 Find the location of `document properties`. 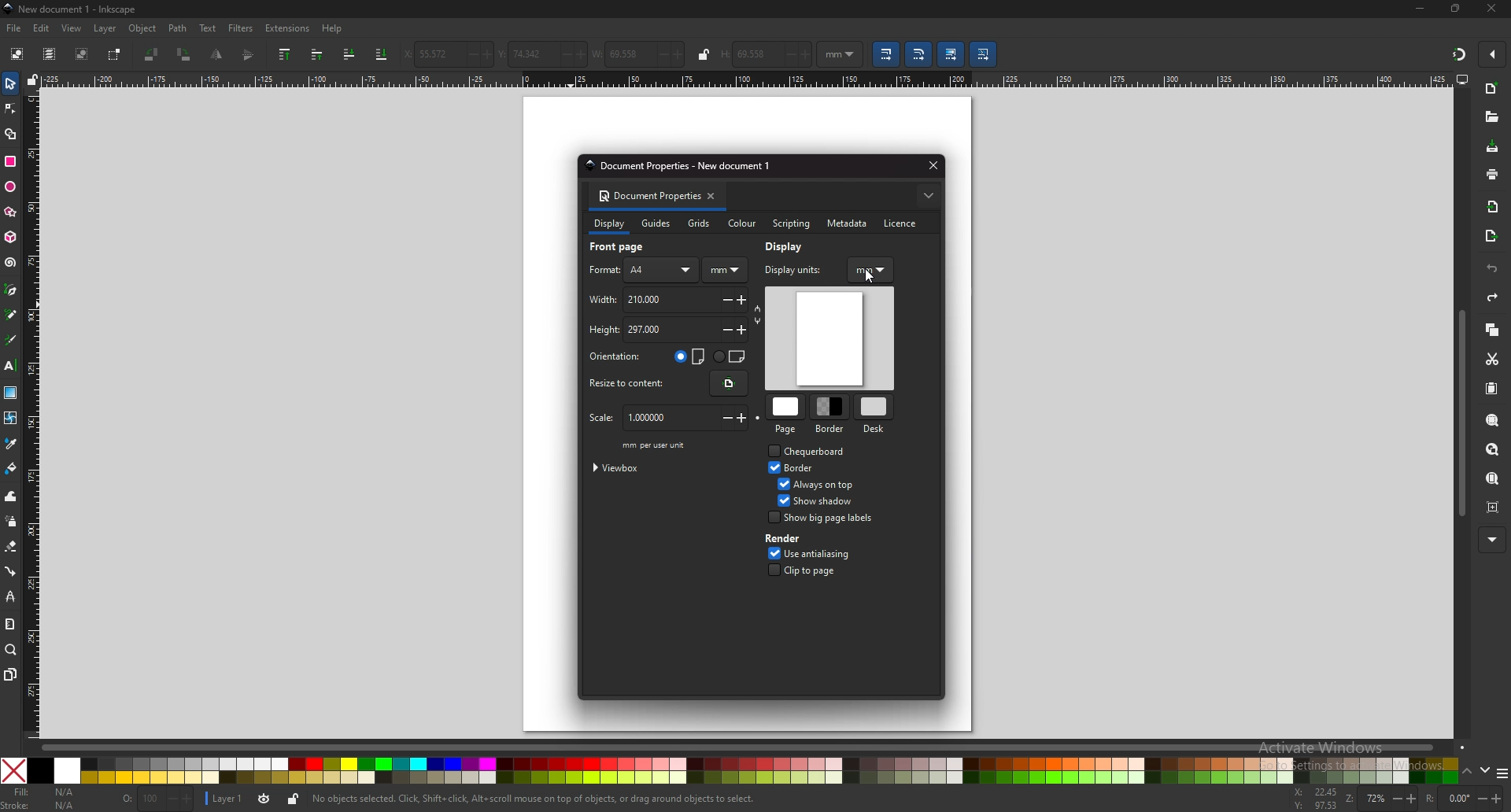

document properties is located at coordinates (647, 197).